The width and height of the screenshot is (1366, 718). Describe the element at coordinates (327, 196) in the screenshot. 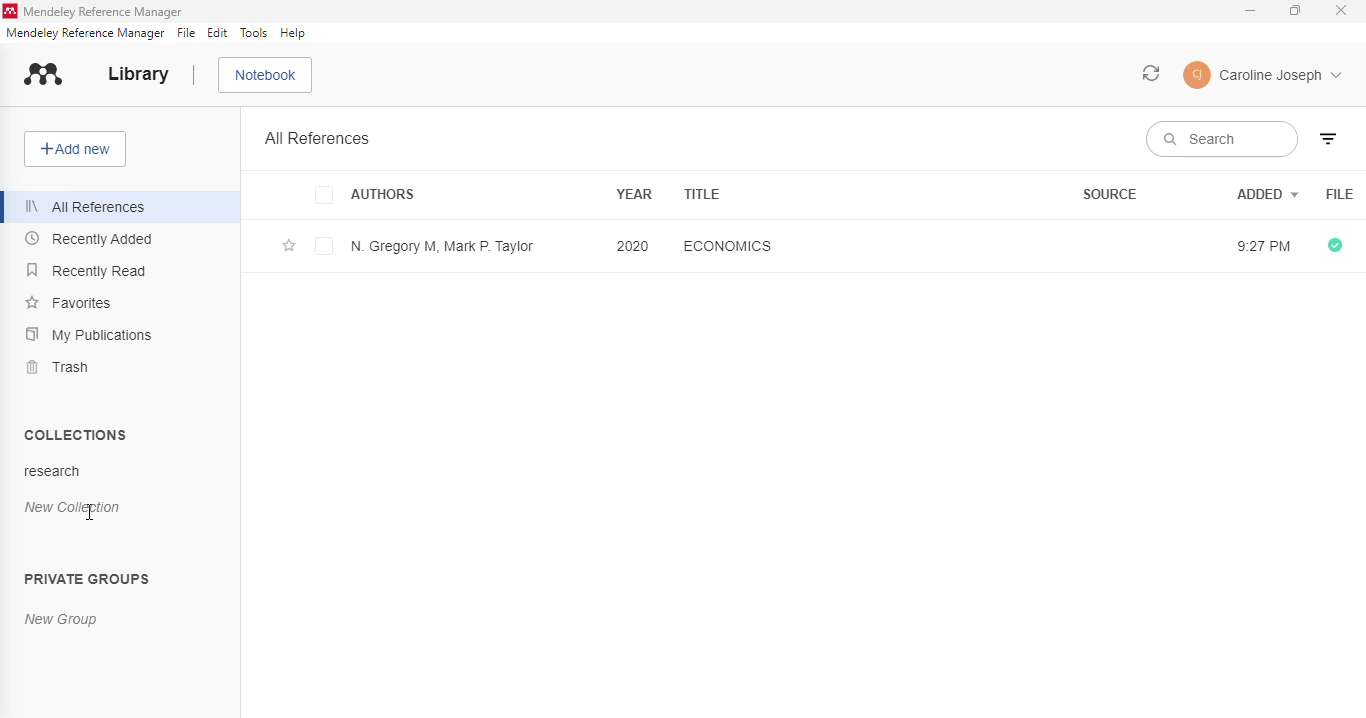

I see `checkbox` at that location.